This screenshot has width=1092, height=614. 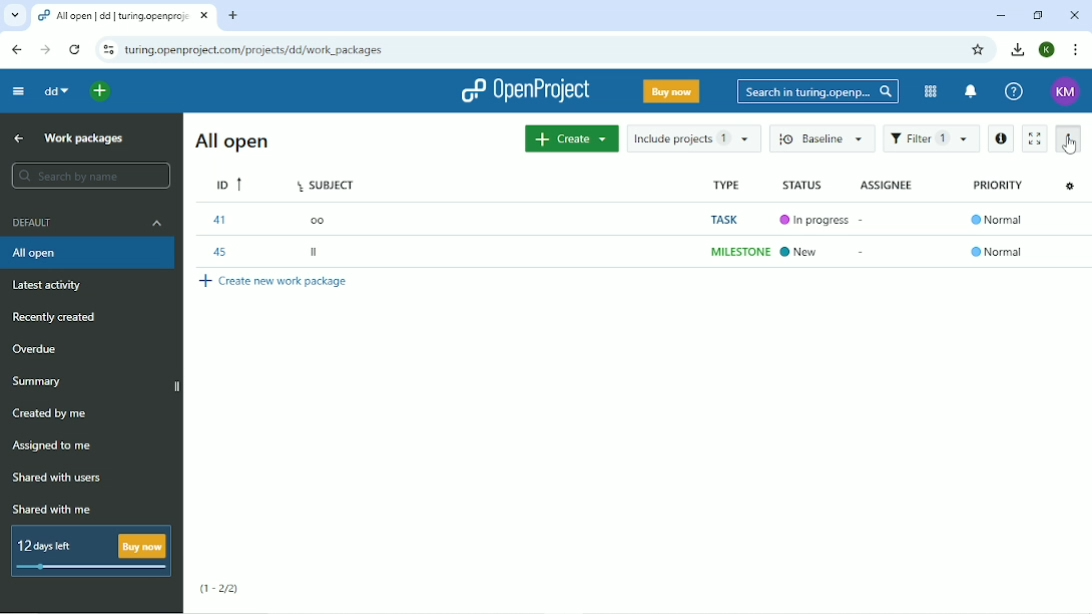 What do you see at coordinates (328, 183) in the screenshot?
I see `Subject` at bounding box center [328, 183].